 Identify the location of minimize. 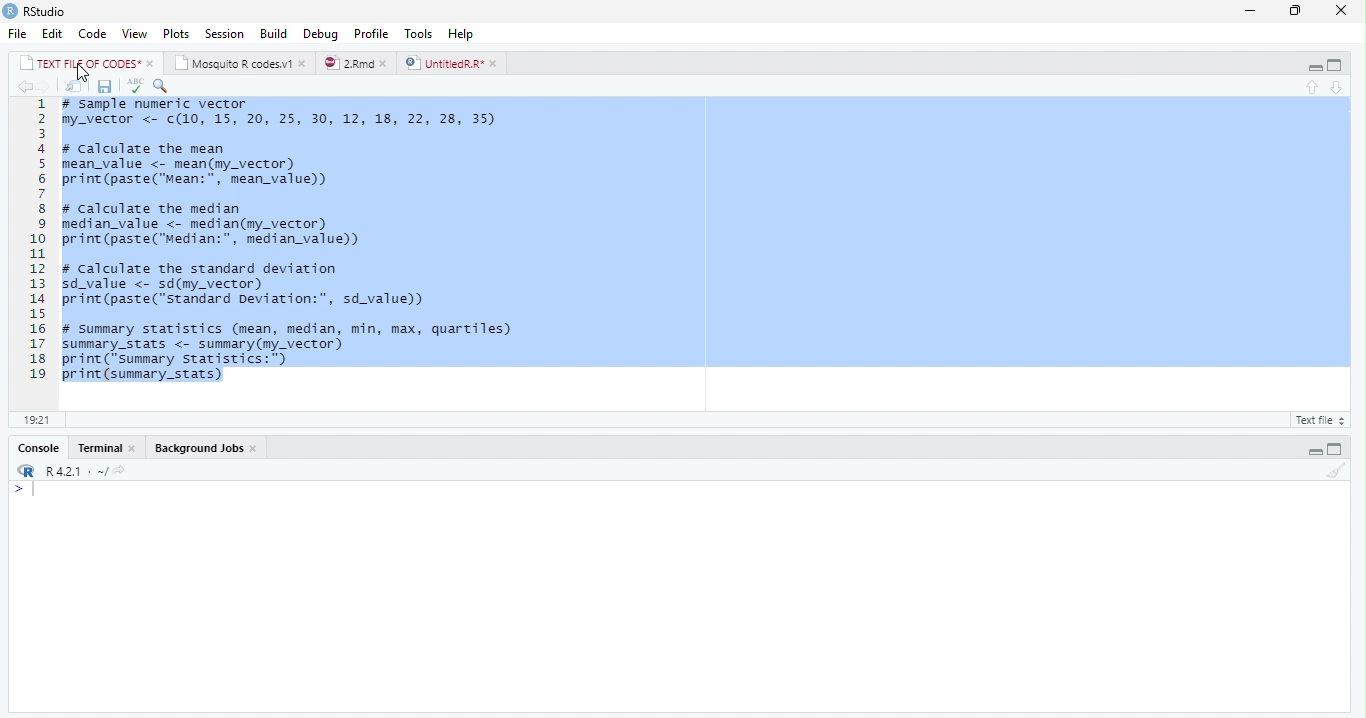
(1315, 66).